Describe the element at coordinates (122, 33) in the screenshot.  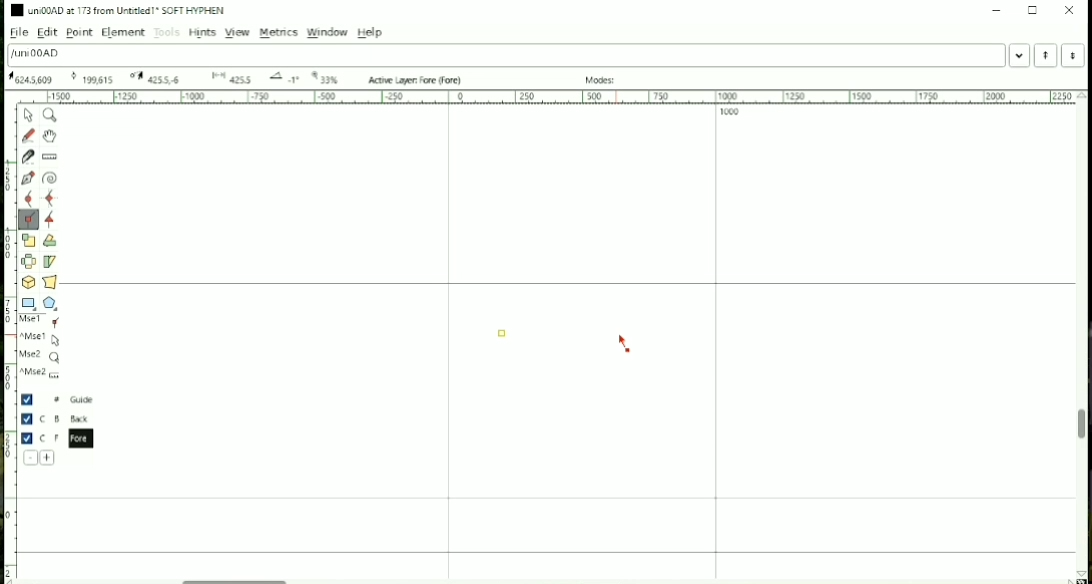
I see `Element` at that location.